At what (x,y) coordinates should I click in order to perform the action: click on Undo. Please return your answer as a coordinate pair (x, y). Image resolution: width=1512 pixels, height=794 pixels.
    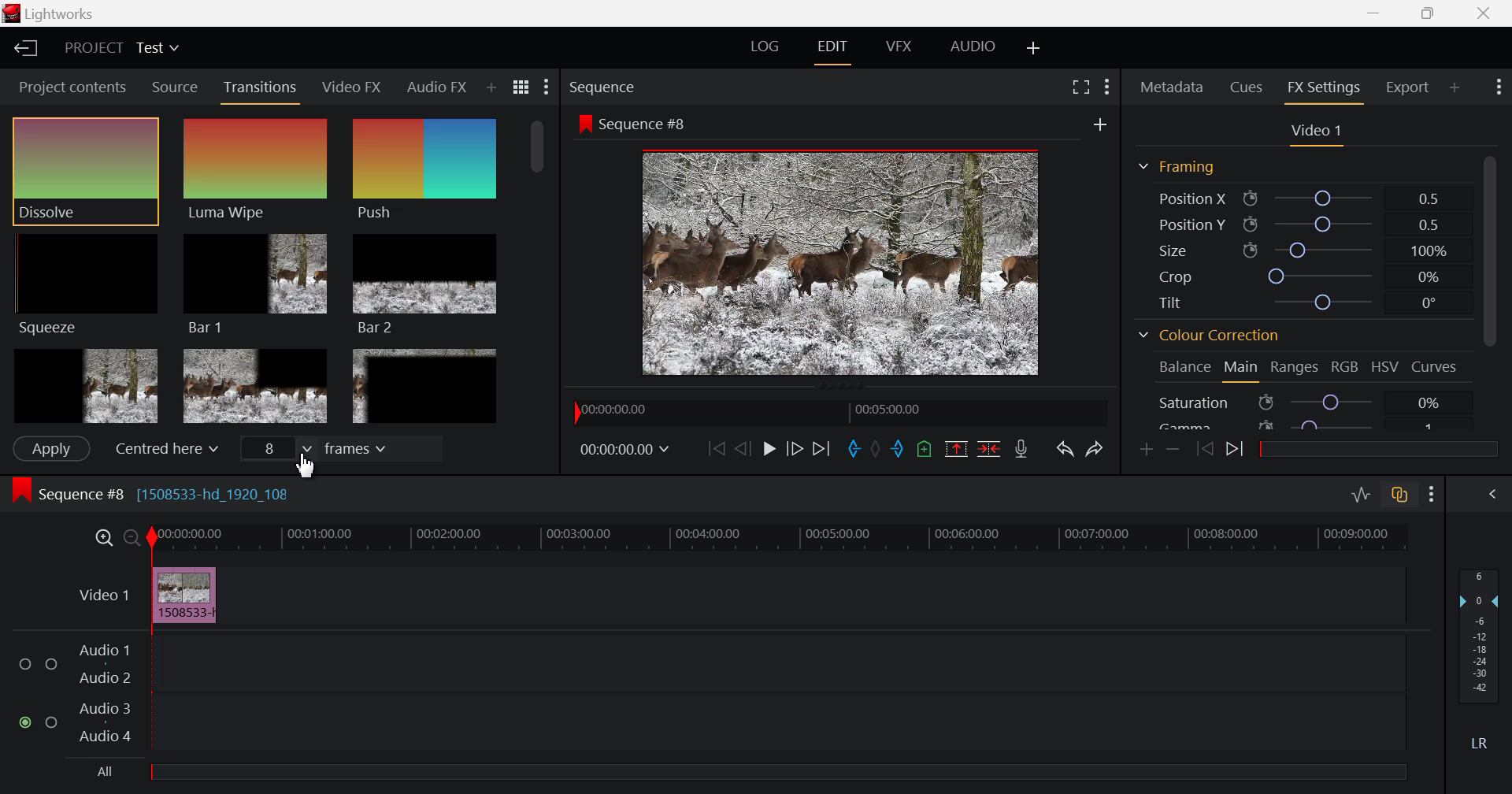
    Looking at the image, I should click on (1064, 449).